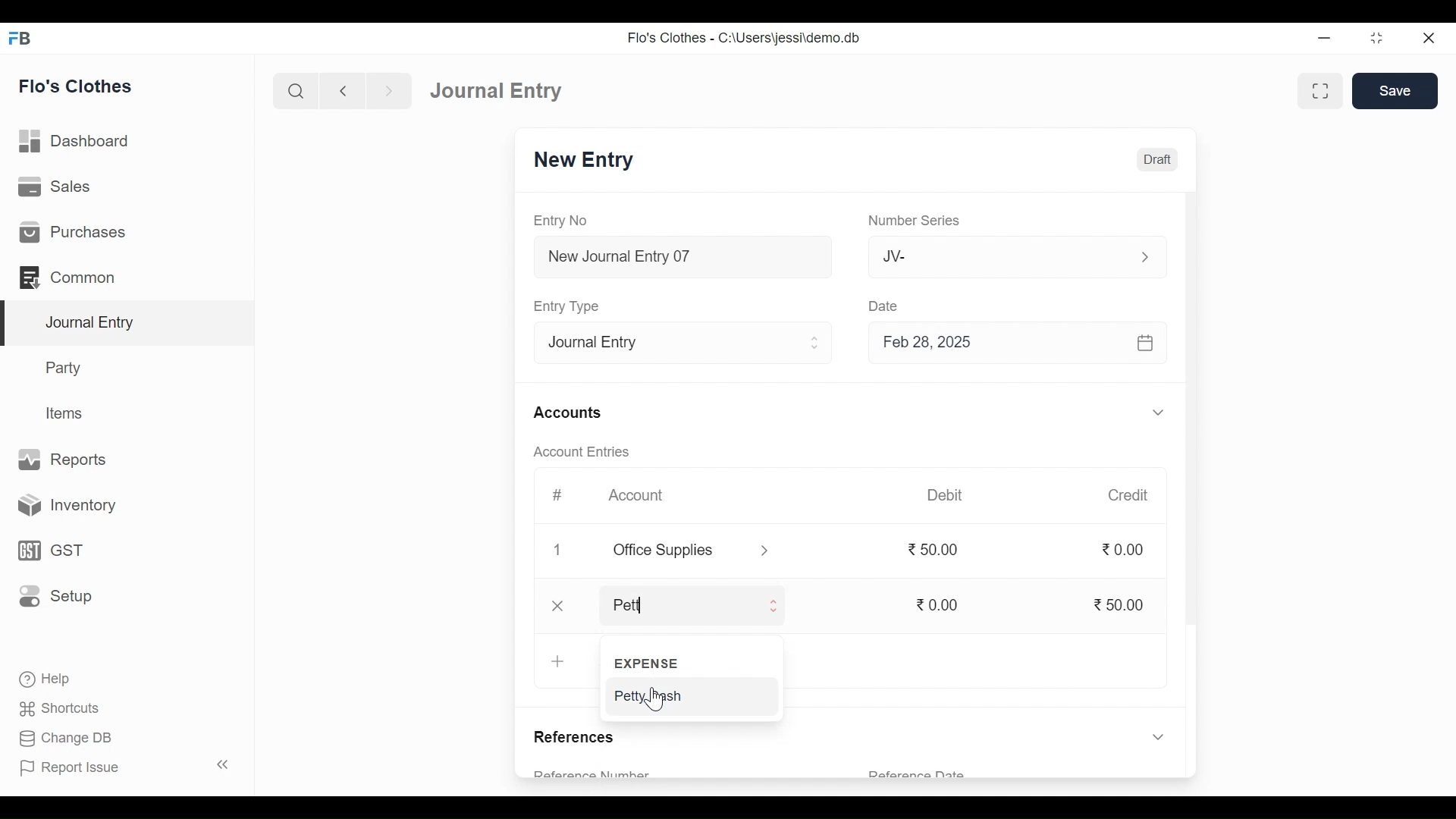 The height and width of the screenshot is (819, 1456). I want to click on Credit, so click(1129, 496).